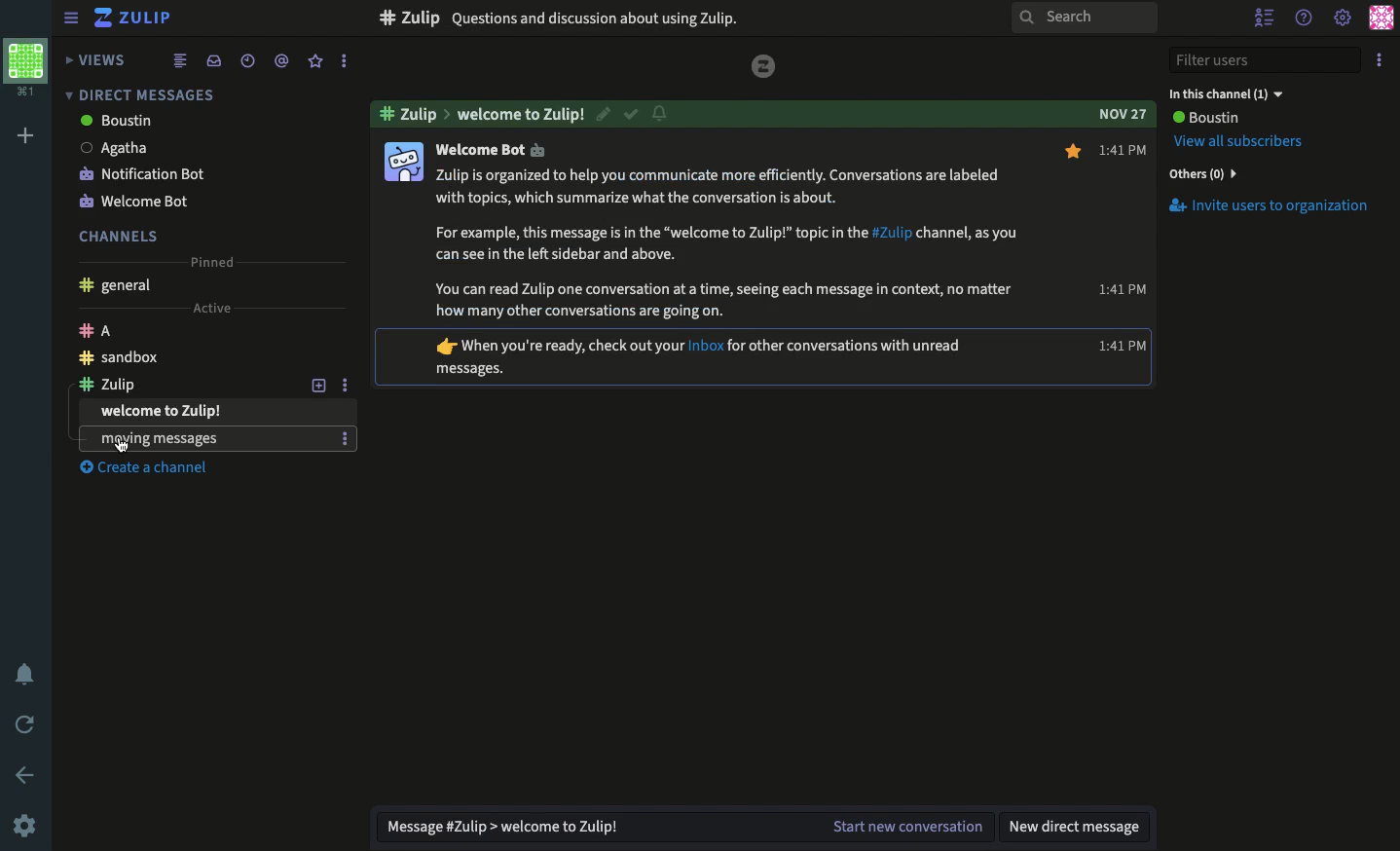 The width and height of the screenshot is (1400, 851). What do you see at coordinates (98, 59) in the screenshot?
I see `Views` at bounding box center [98, 59].